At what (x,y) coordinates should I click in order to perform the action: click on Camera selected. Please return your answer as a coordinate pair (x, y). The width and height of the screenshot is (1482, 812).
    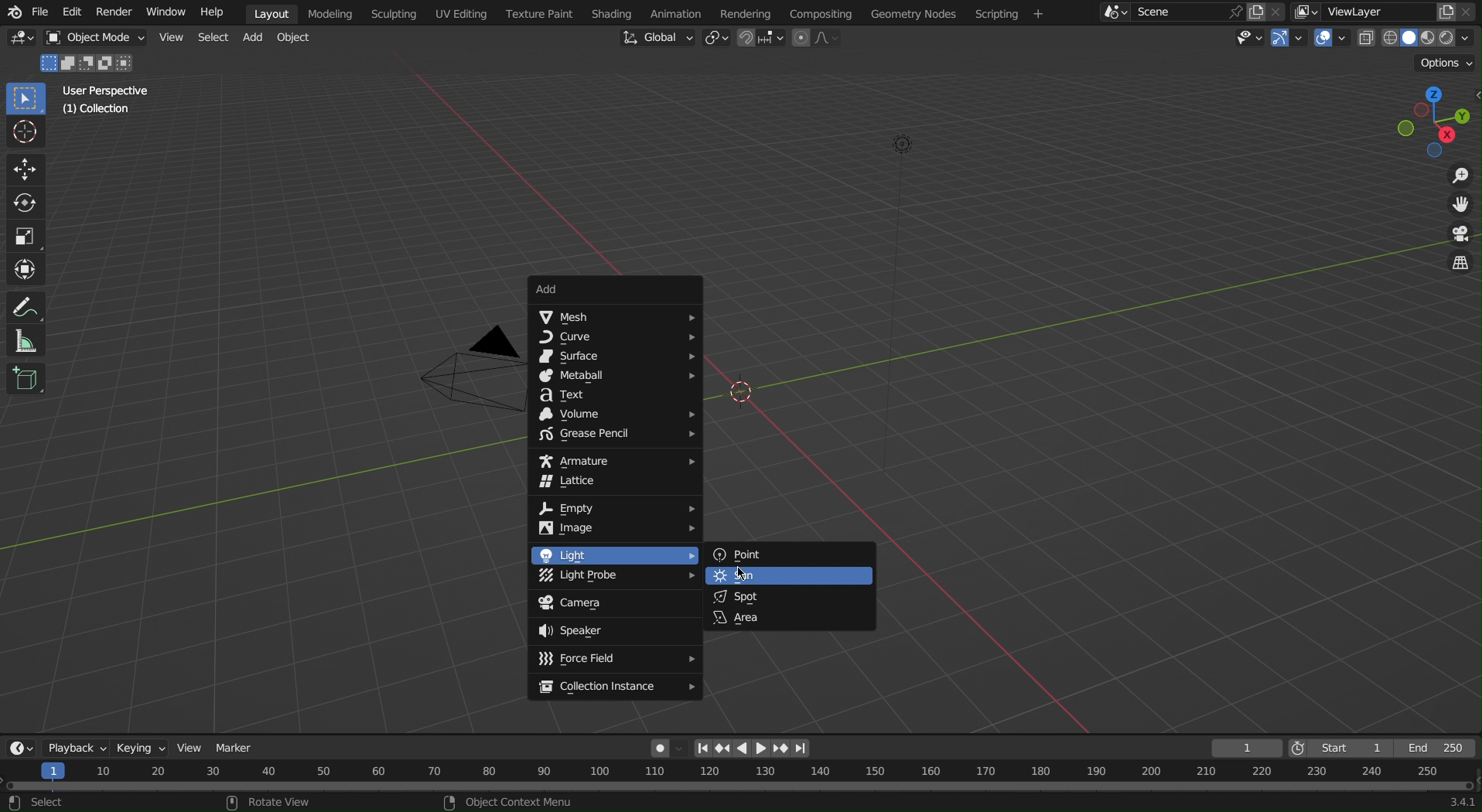
    Looking at the image, I should click on (452, 375).